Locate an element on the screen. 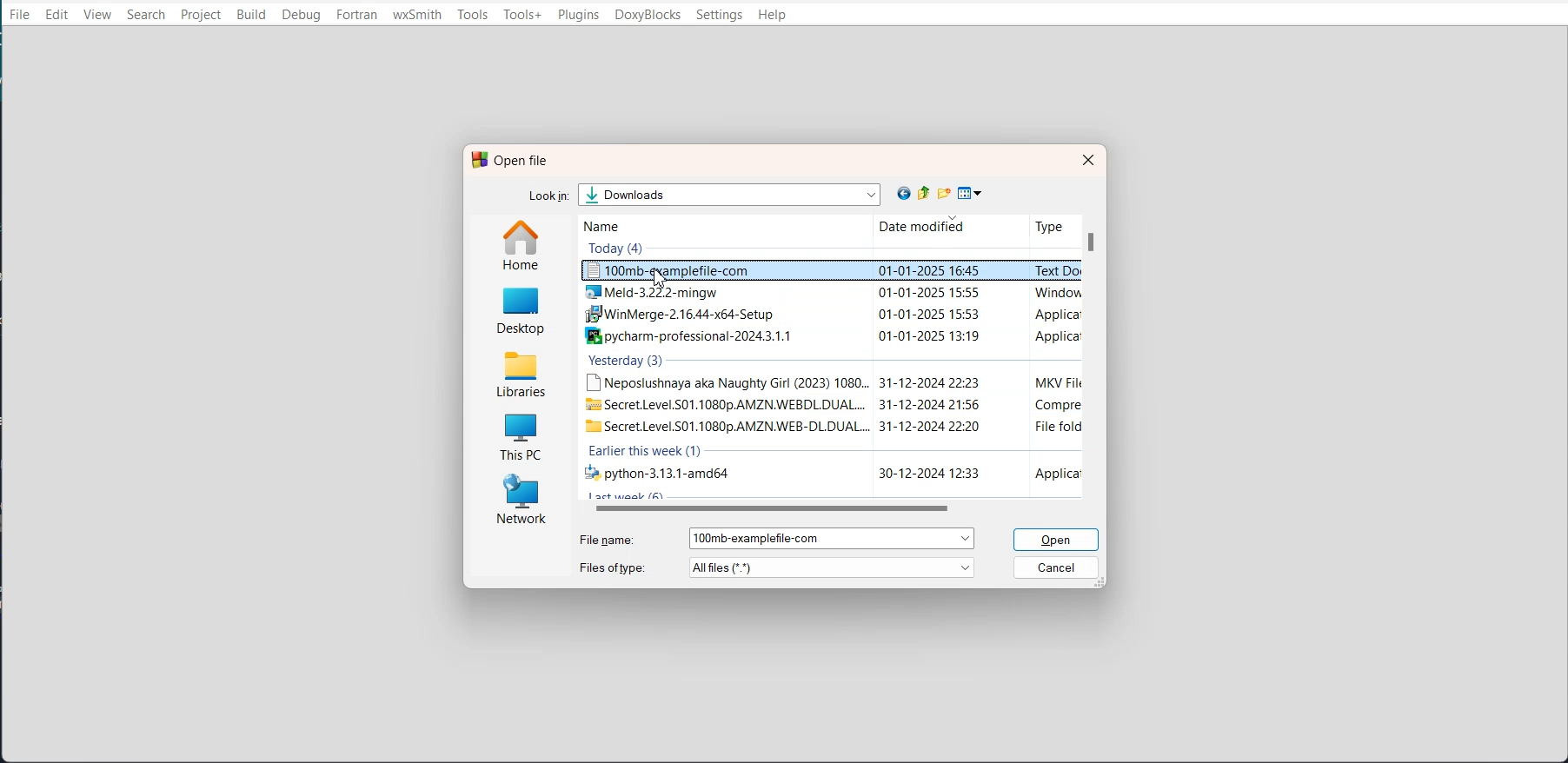 The image size is (1568, 763). Up one level is located at coordinates (927, 193).